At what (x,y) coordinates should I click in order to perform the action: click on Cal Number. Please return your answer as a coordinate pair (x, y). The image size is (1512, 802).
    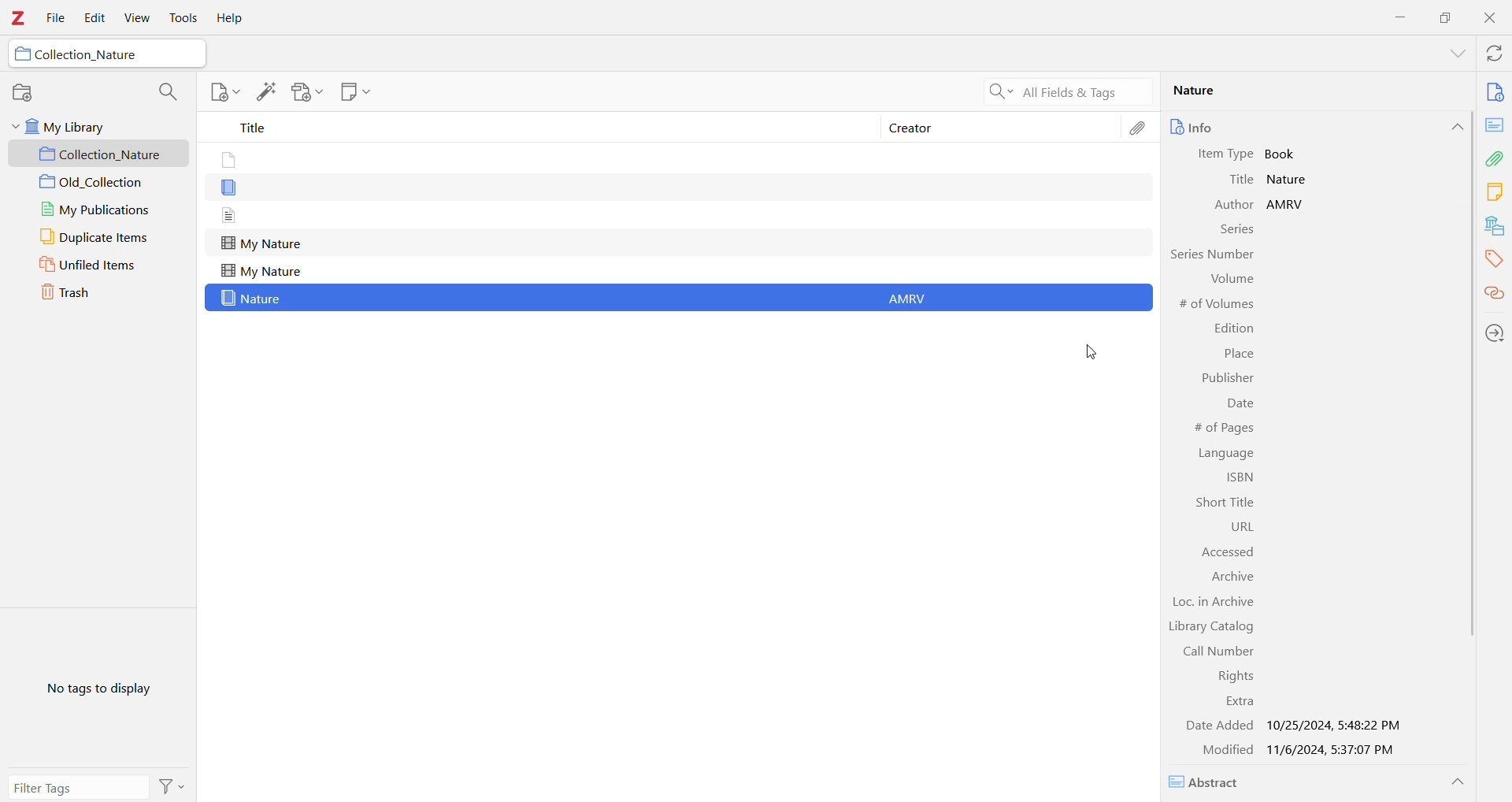
    Looking at the image, I should click on (1210, 652).